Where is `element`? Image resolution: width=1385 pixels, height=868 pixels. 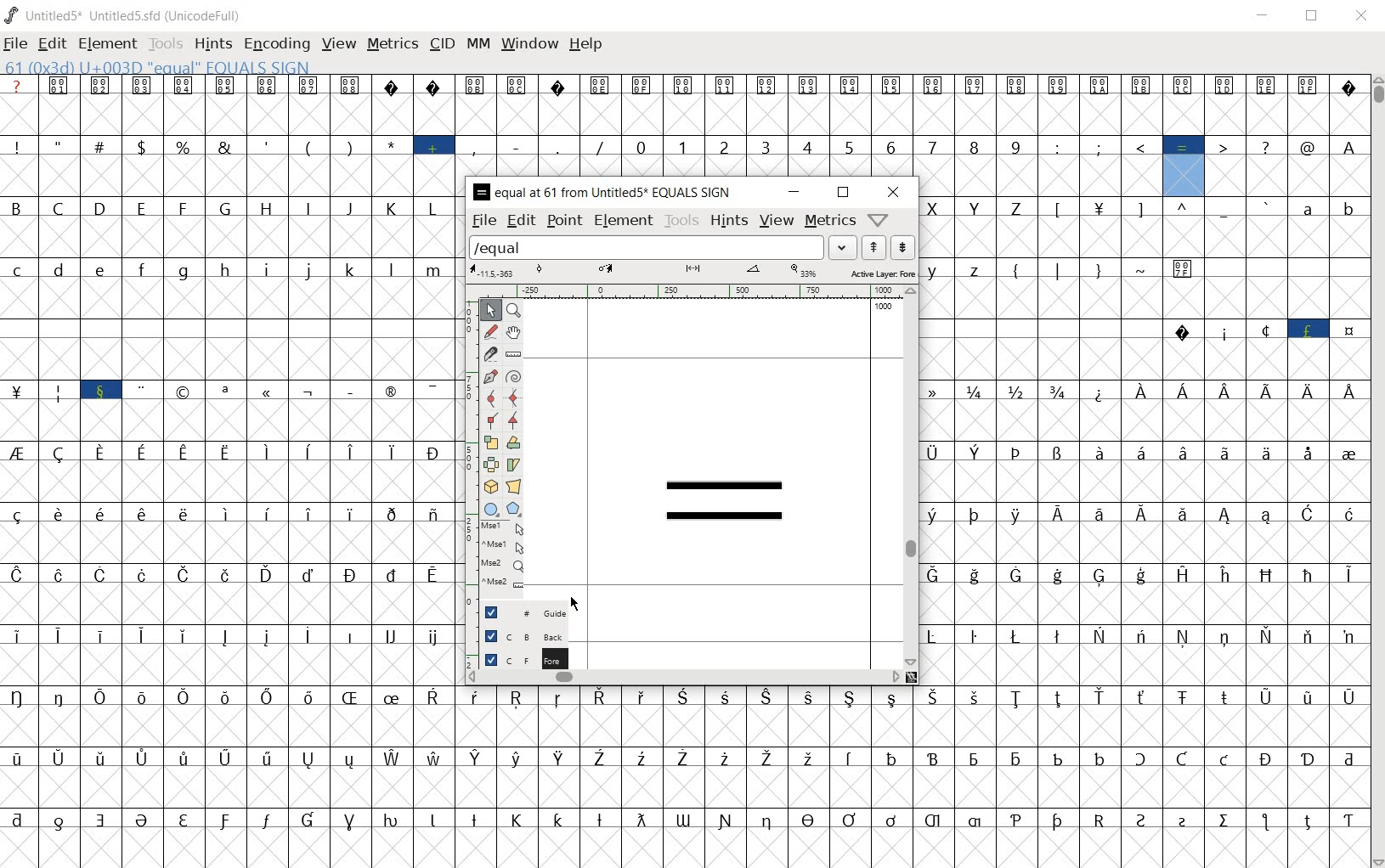
element is located at coordinates (621, 220).